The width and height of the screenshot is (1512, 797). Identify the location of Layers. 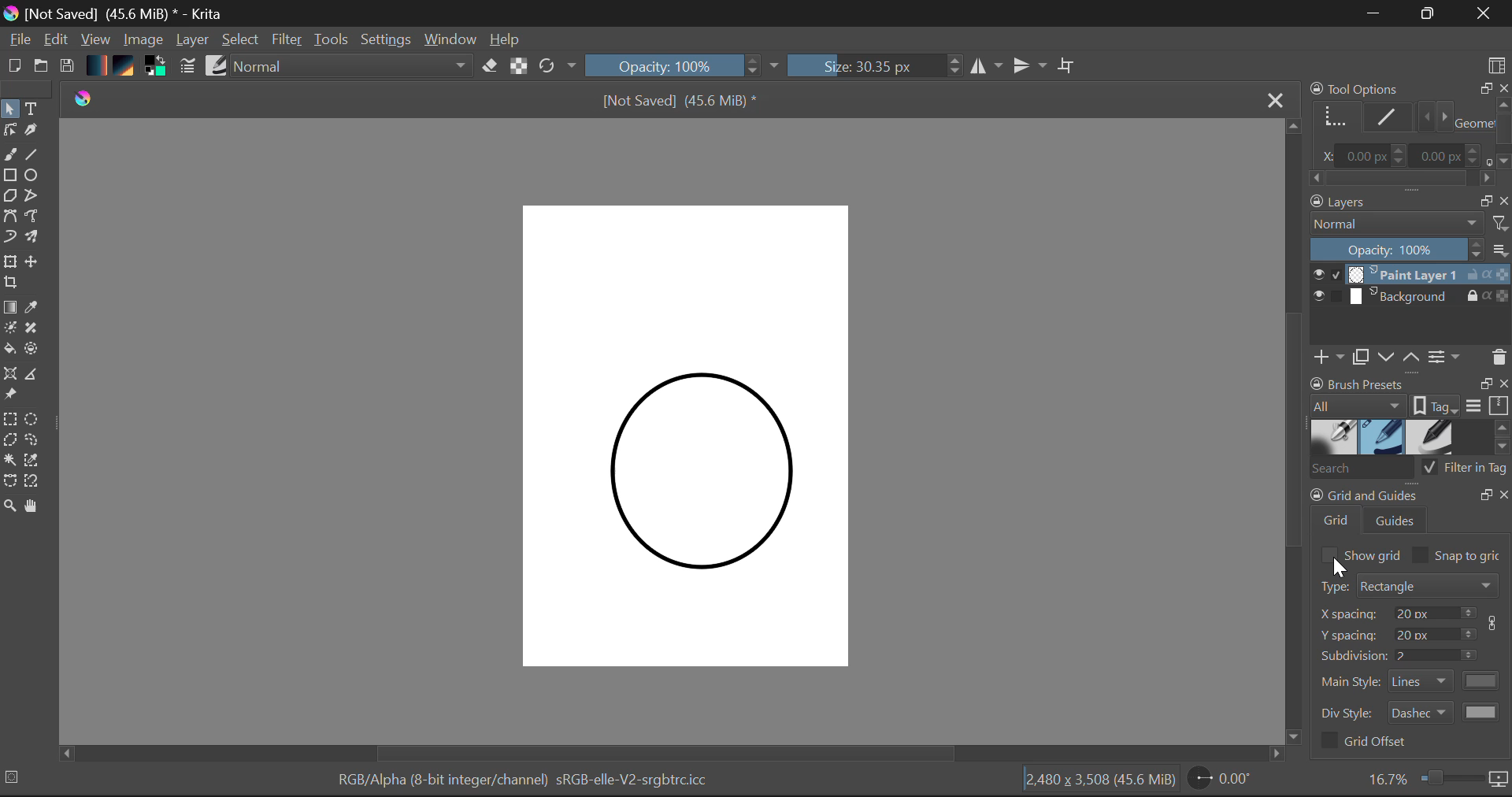
(1411, 287).